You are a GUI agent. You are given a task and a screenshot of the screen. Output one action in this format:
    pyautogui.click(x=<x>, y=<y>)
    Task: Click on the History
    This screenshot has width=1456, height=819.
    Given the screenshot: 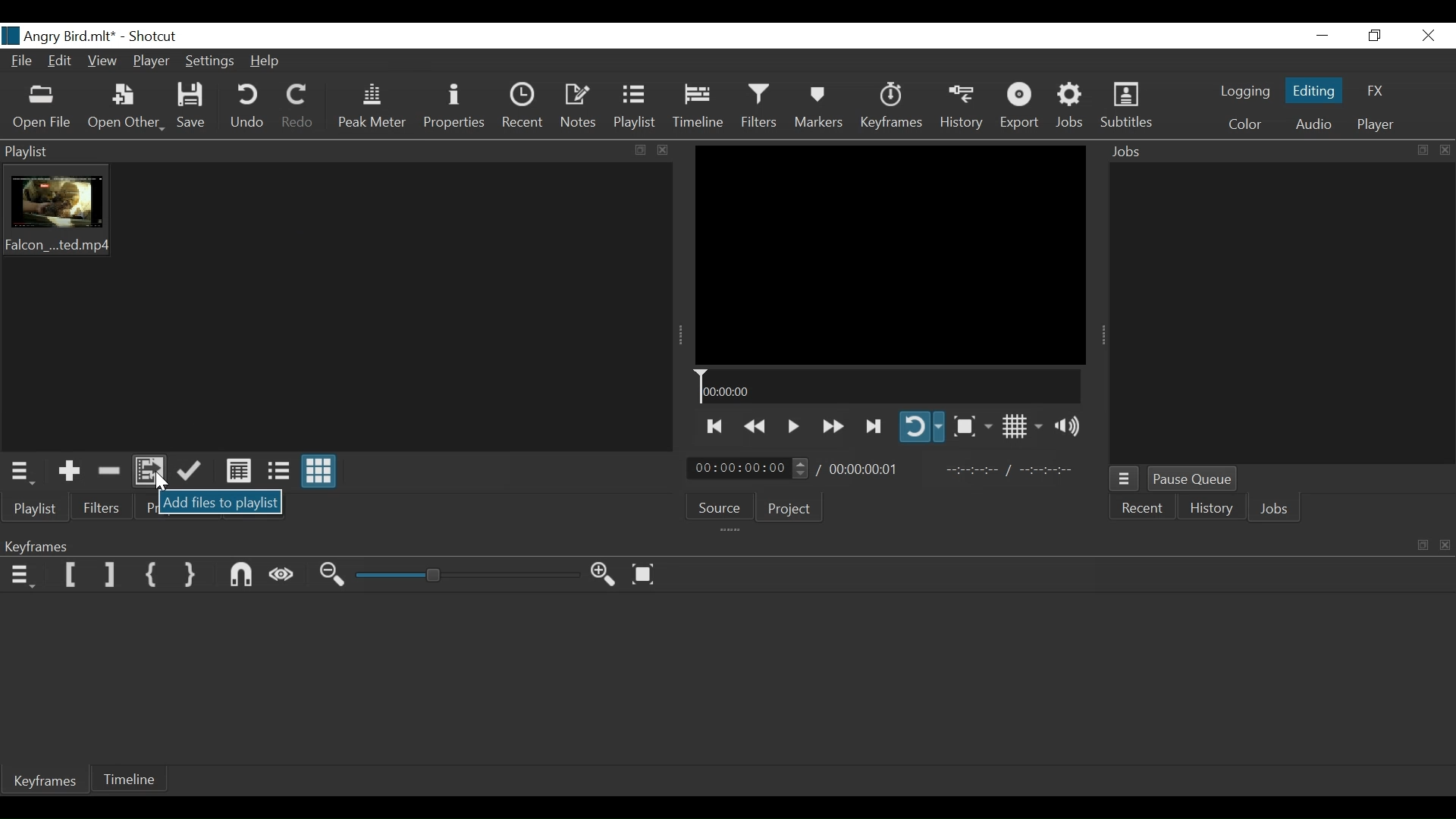 What is the action you would take?
    pyautogui.click(x=964, y=107)
    